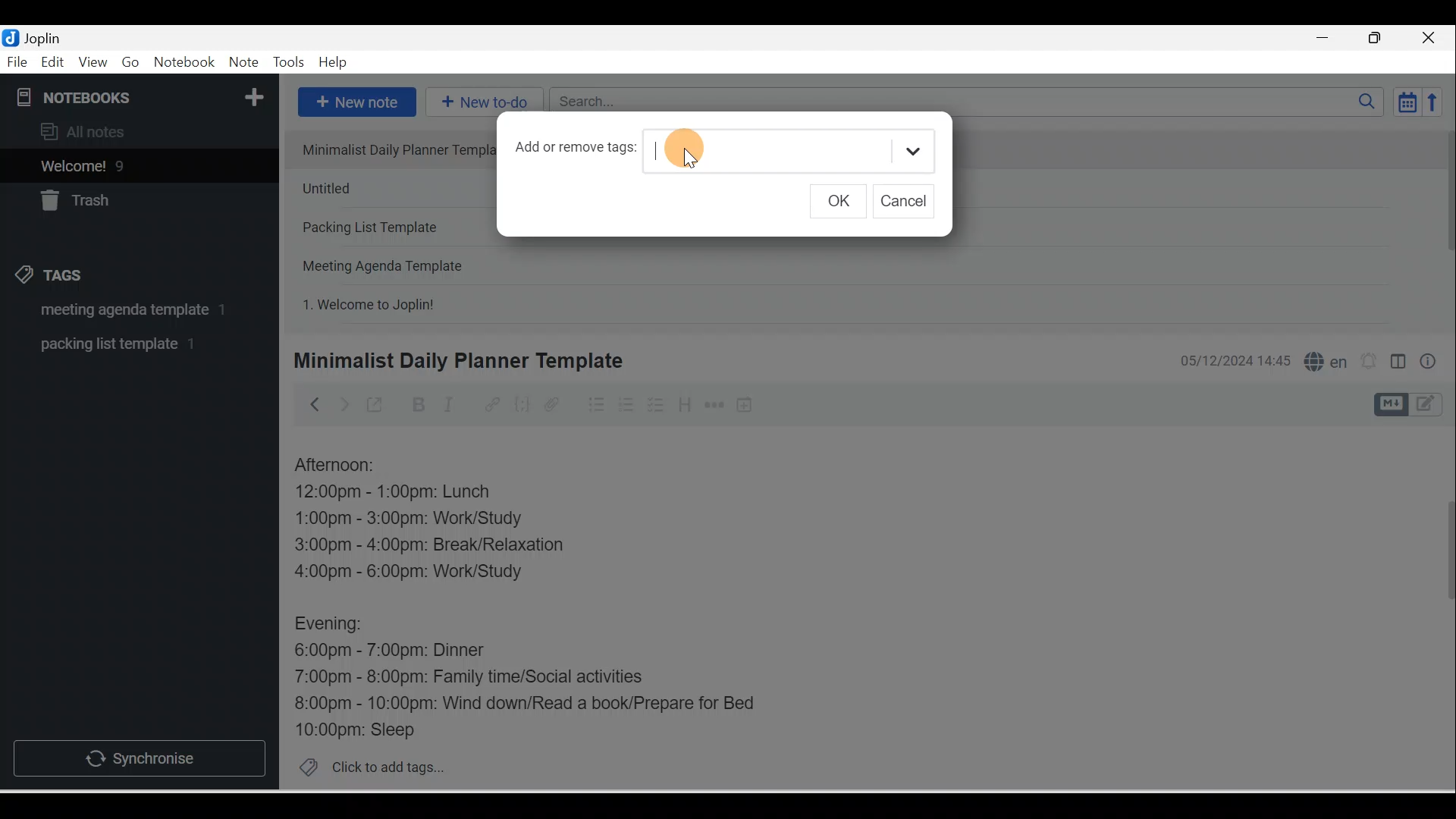 This screenshot has width=1456, height=819. I want to click on Add or remove tags, so click(579, 152).